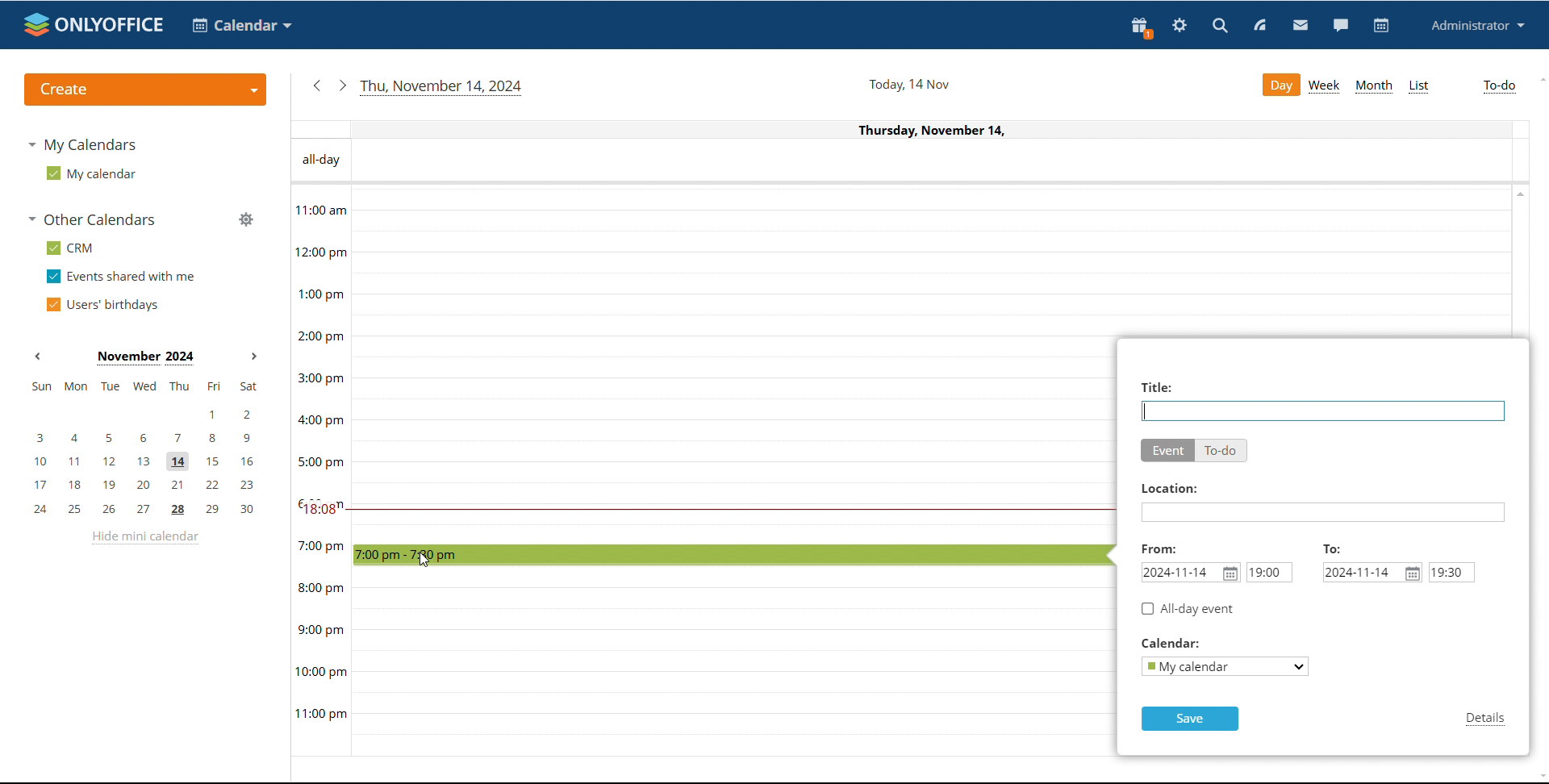  What do you see at coordinates (322, 161) in the screenshot?
I see `All - day` at bounding box center [322, 161].